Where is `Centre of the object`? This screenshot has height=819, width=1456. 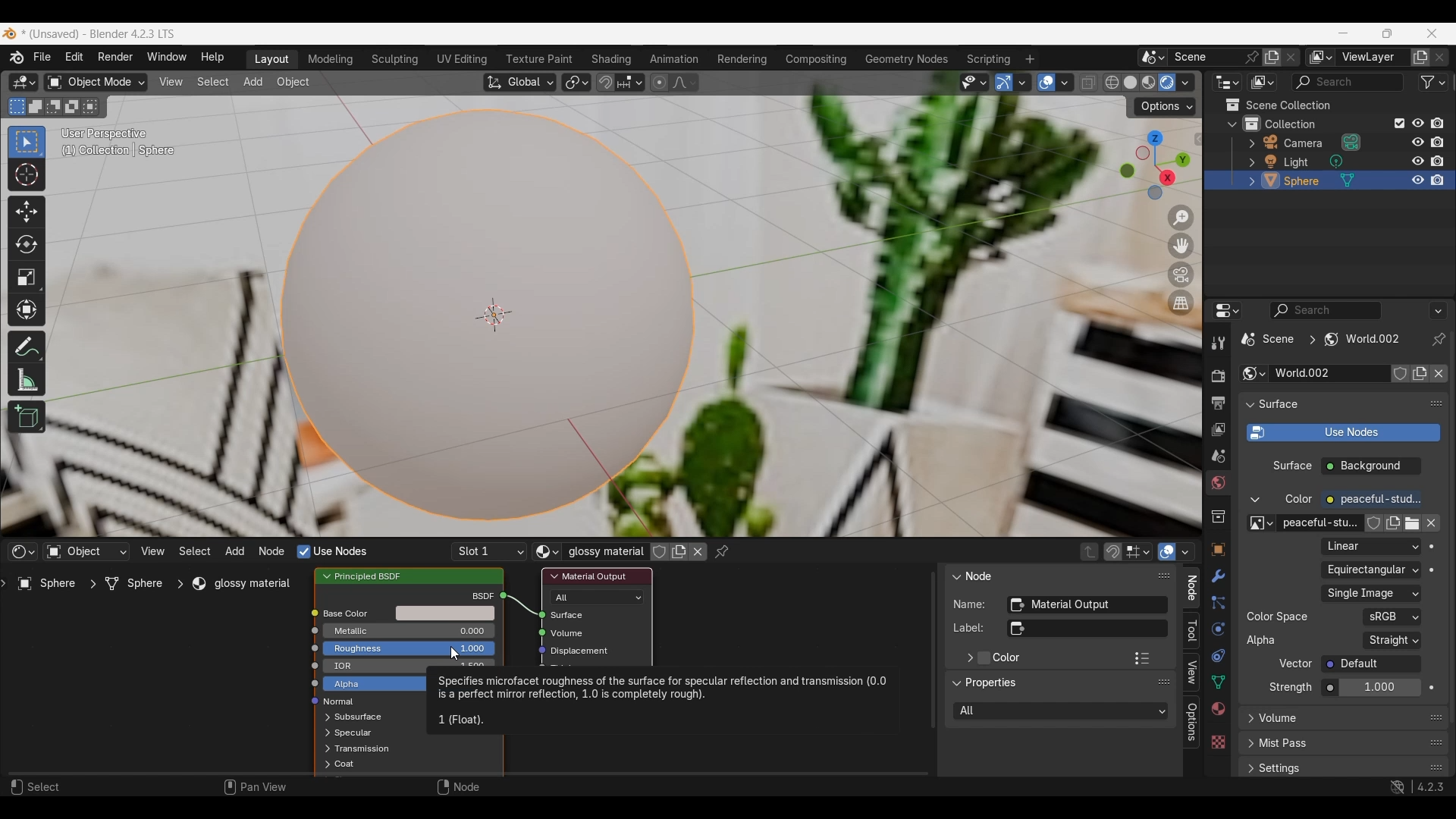
Centre of the object is located at coordinates (494, 315).